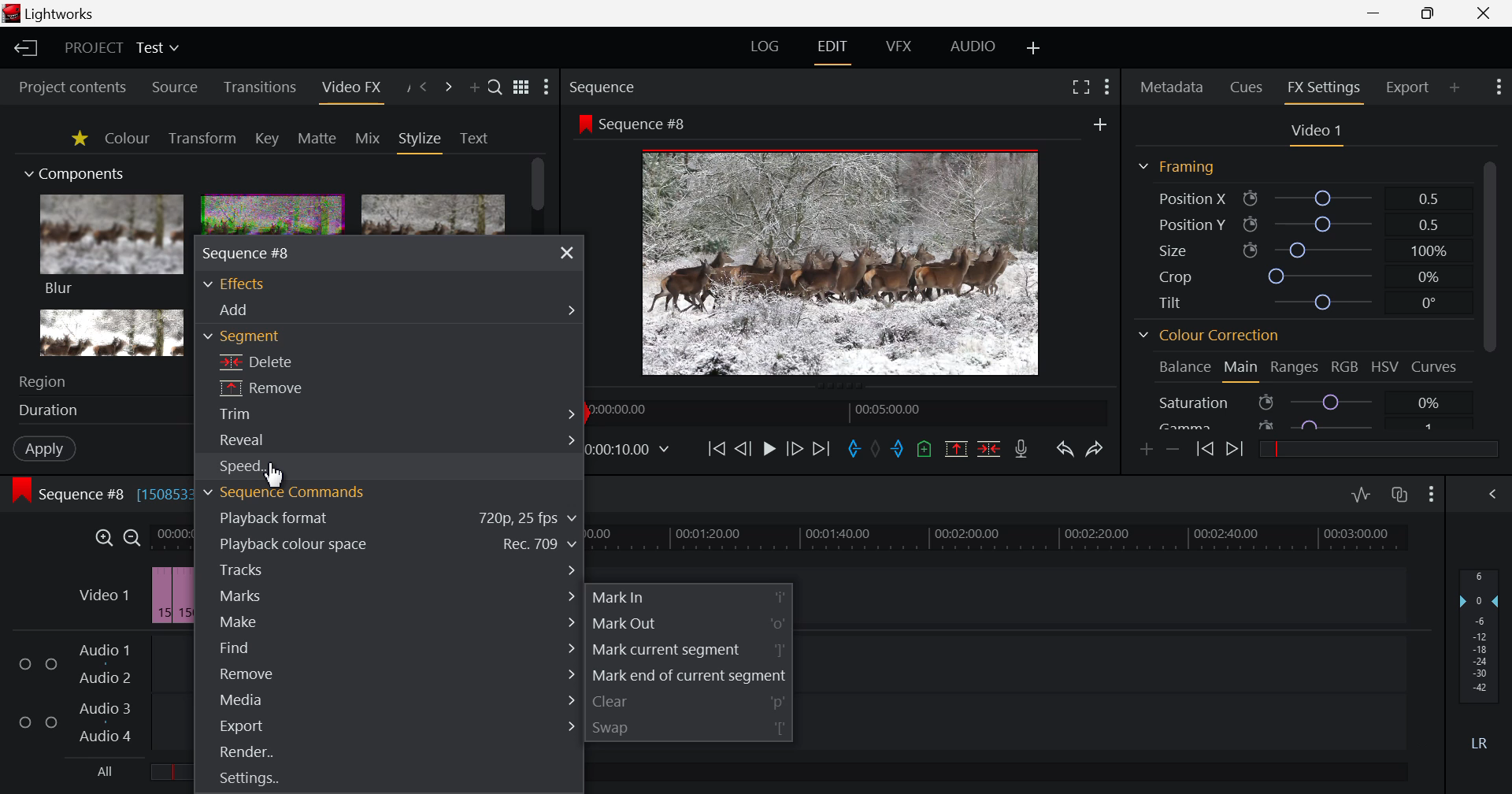  I want to click on Lightworks, so click(52, 13).